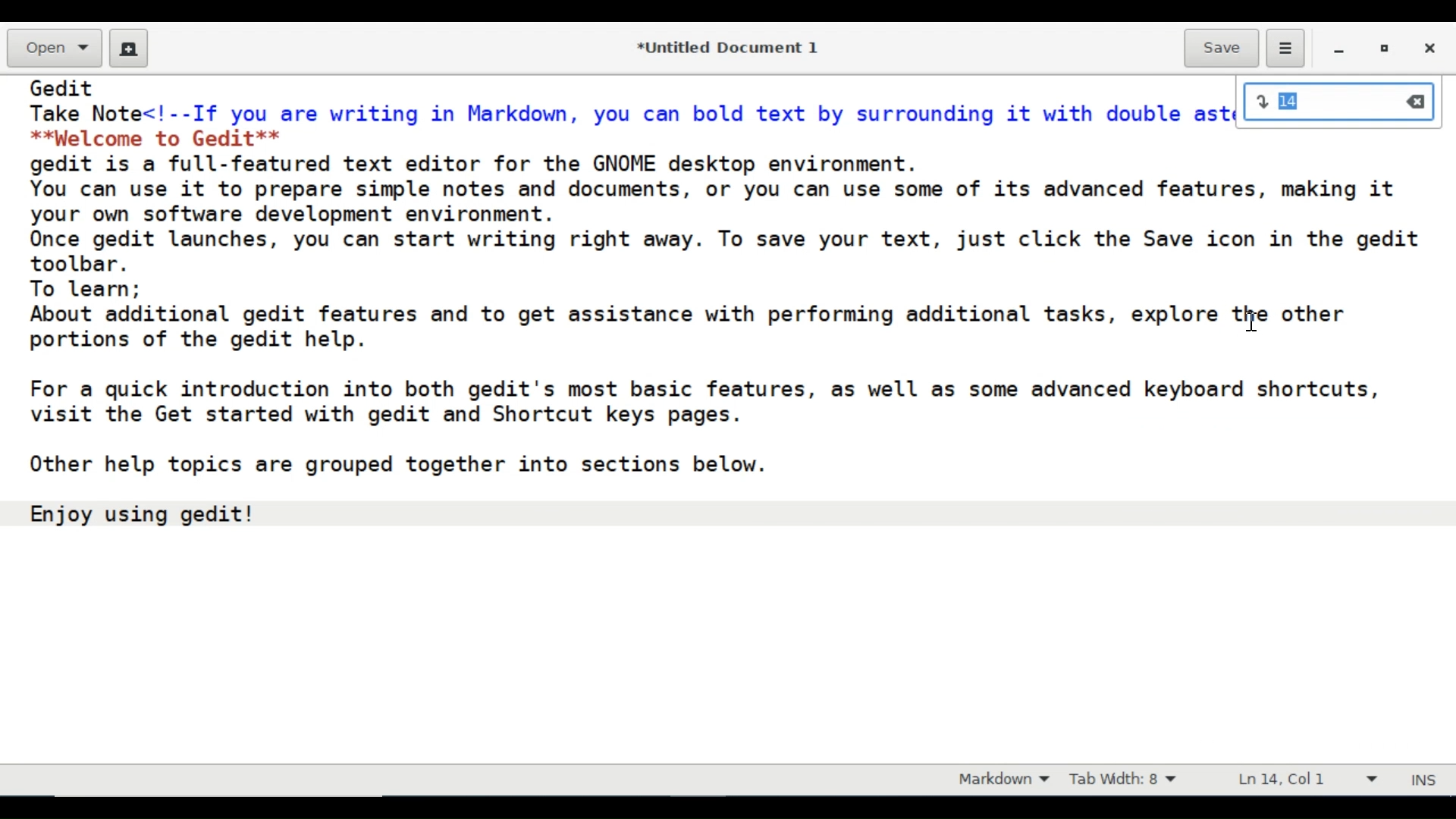 The width and height of the screenshot is (1456, 819). What do you see at coordinates (397, 465) in the screenshot?
I see `Other help topics are grouped together into sections below.` at bounding box center [397, 465].